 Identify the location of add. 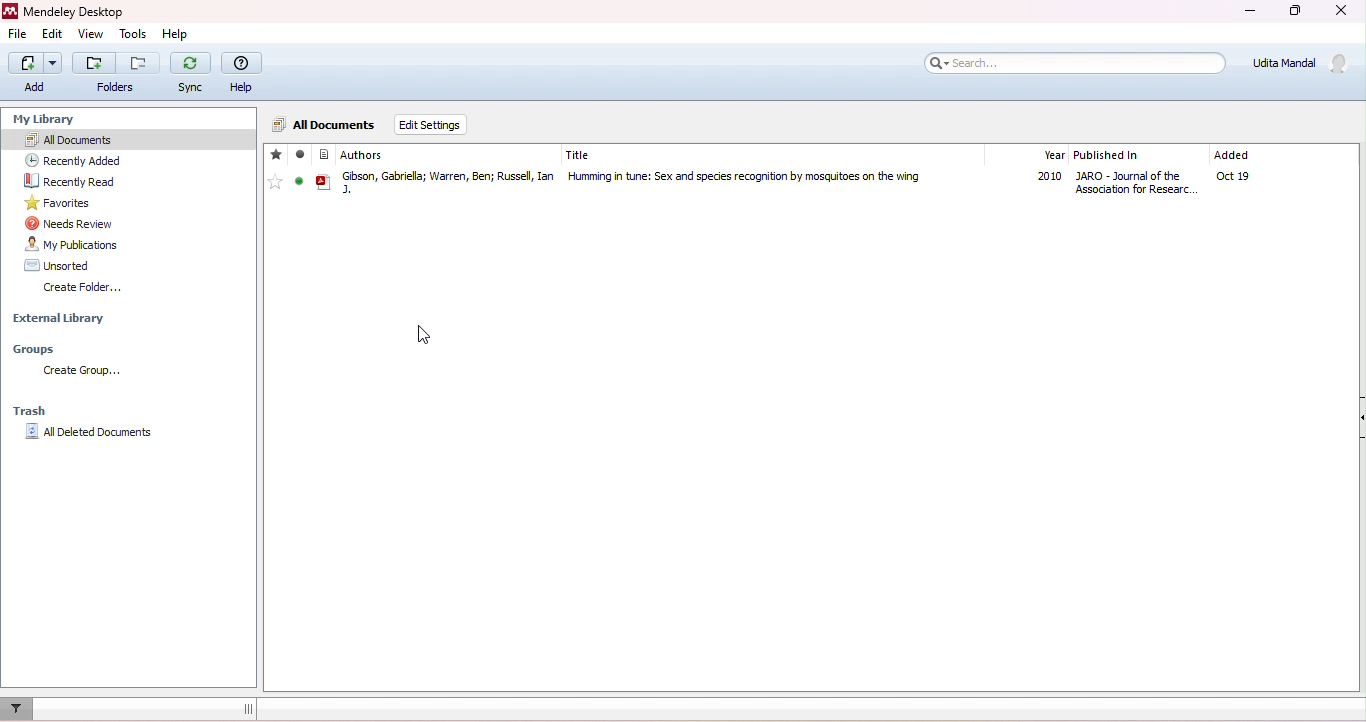
(34, 71).